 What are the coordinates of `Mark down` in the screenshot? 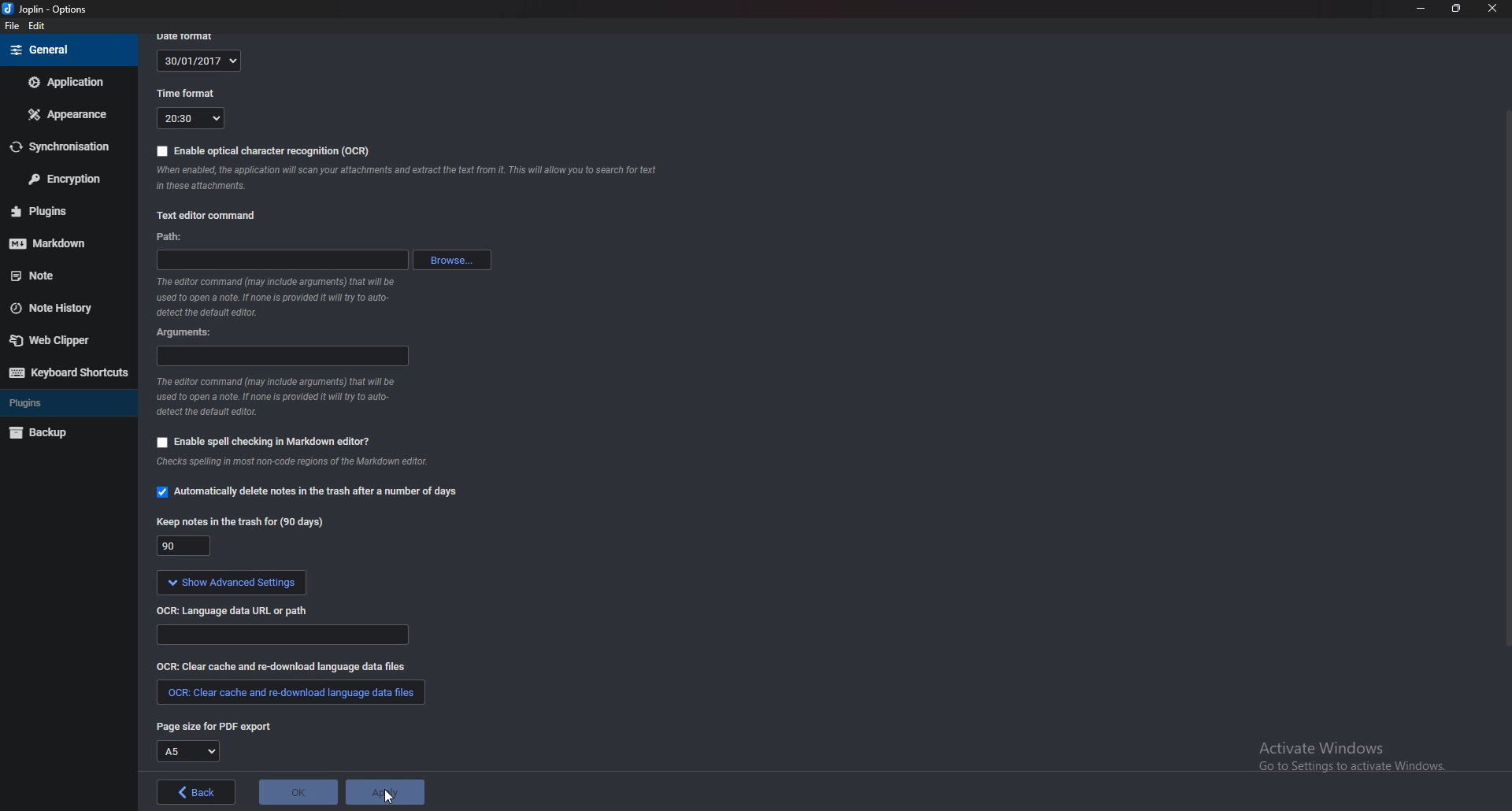 It's located at (59, 243).